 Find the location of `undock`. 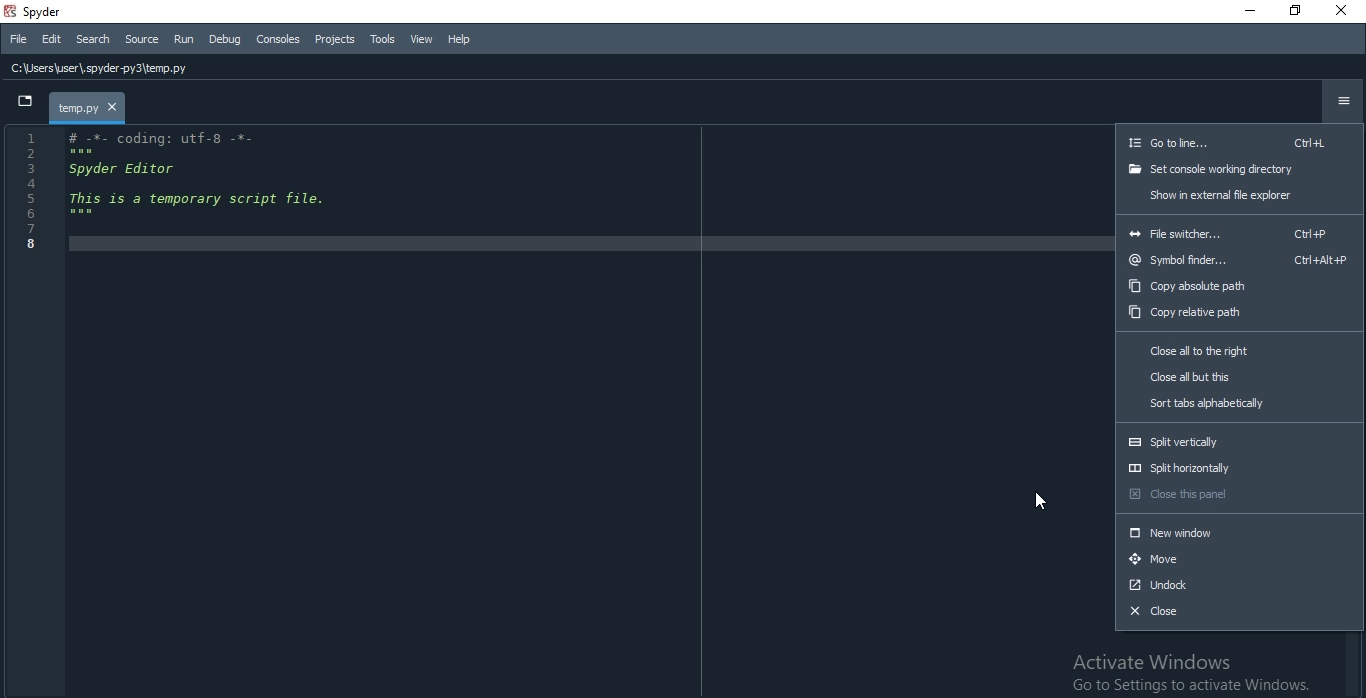

undock is located at coordinates (1237, 588).